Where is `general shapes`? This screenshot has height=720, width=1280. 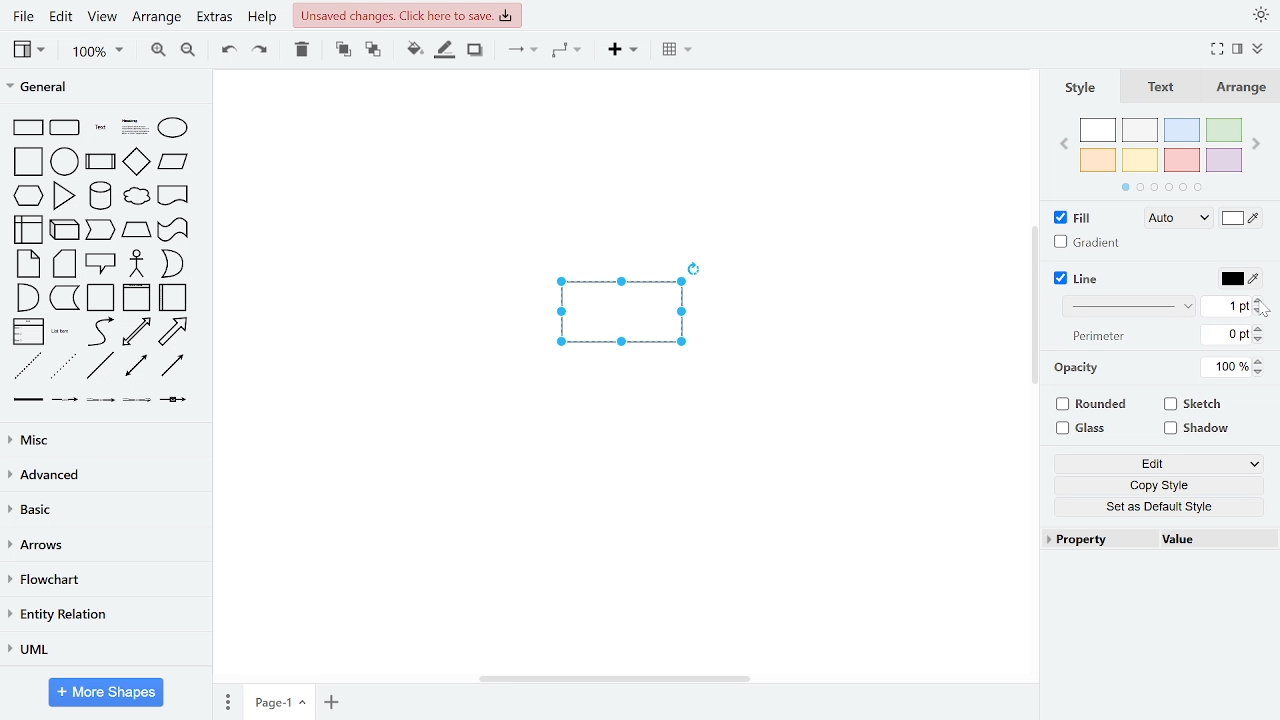
general shapes is located at coordinates (63, 264).